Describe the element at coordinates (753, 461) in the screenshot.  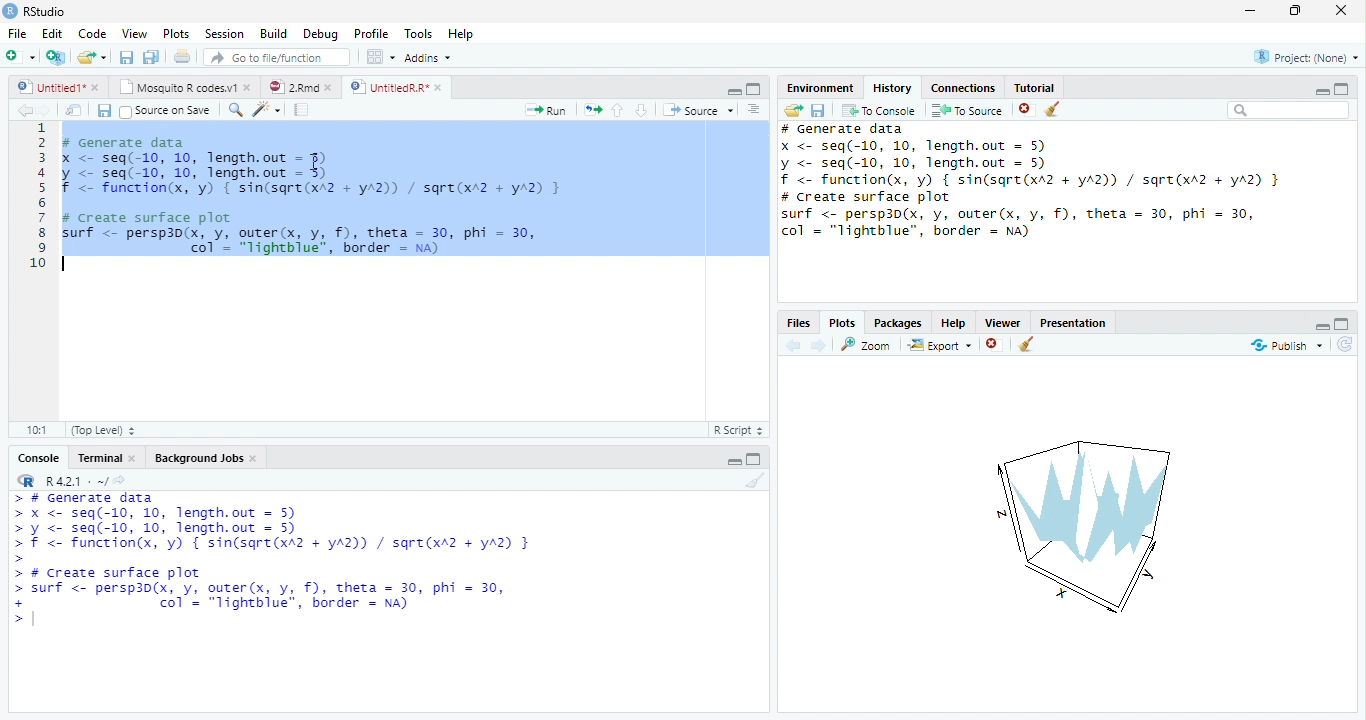
I see `Maximize` at that location.